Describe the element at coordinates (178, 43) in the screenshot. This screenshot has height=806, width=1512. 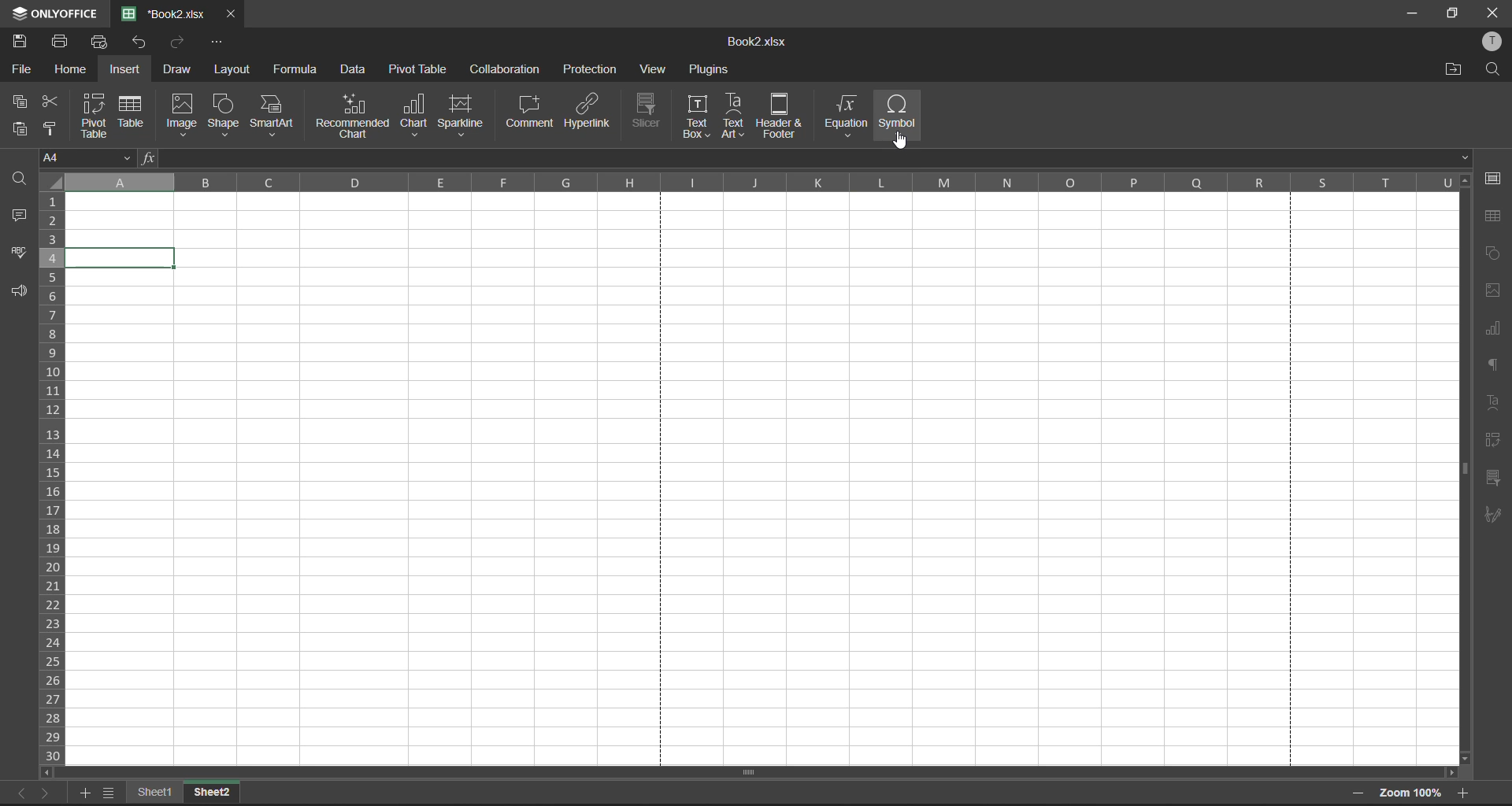
I see `redo` at that location.